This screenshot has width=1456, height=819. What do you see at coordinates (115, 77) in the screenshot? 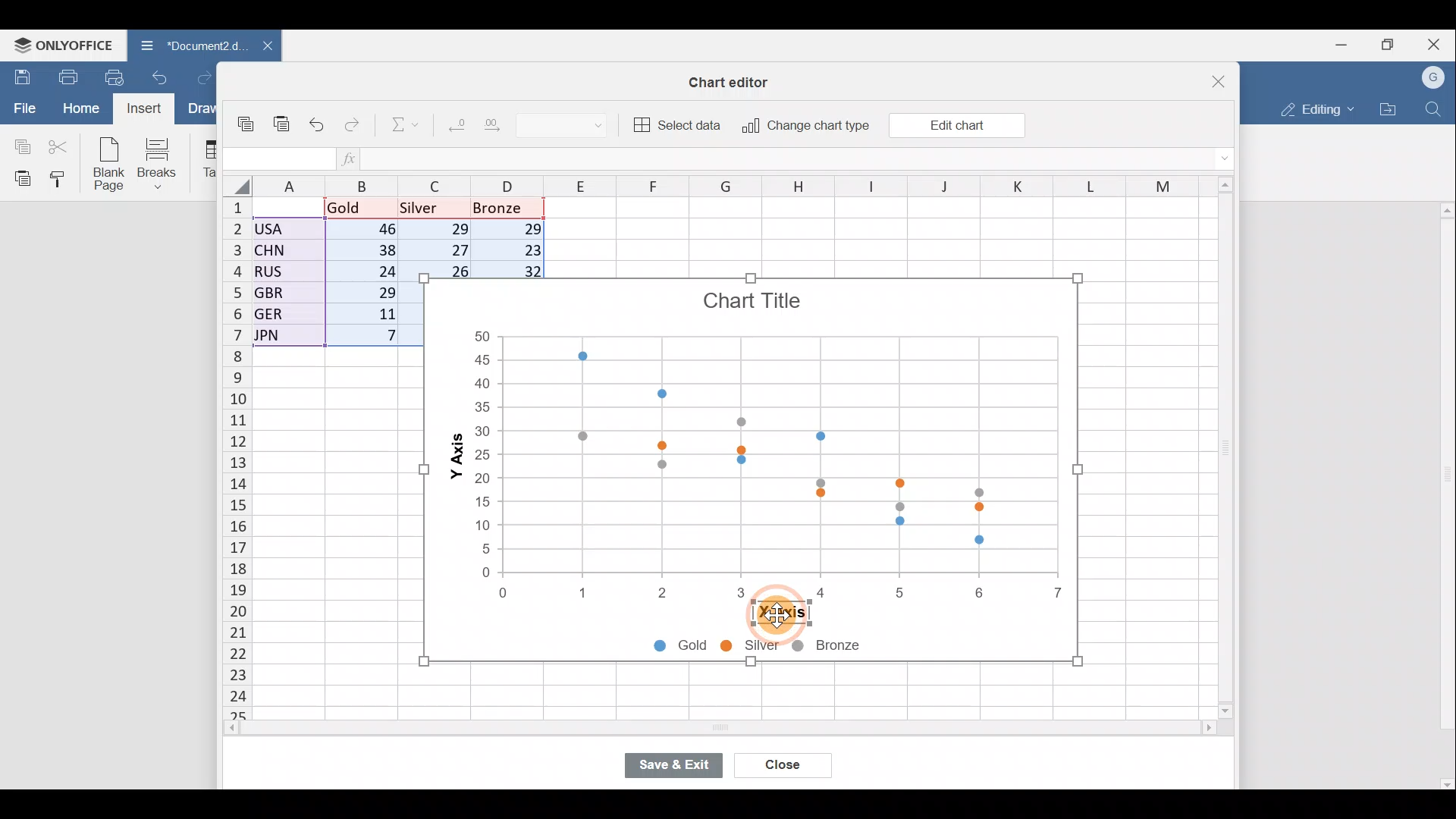
I see `Quick print` at bounding box center [115, 77].